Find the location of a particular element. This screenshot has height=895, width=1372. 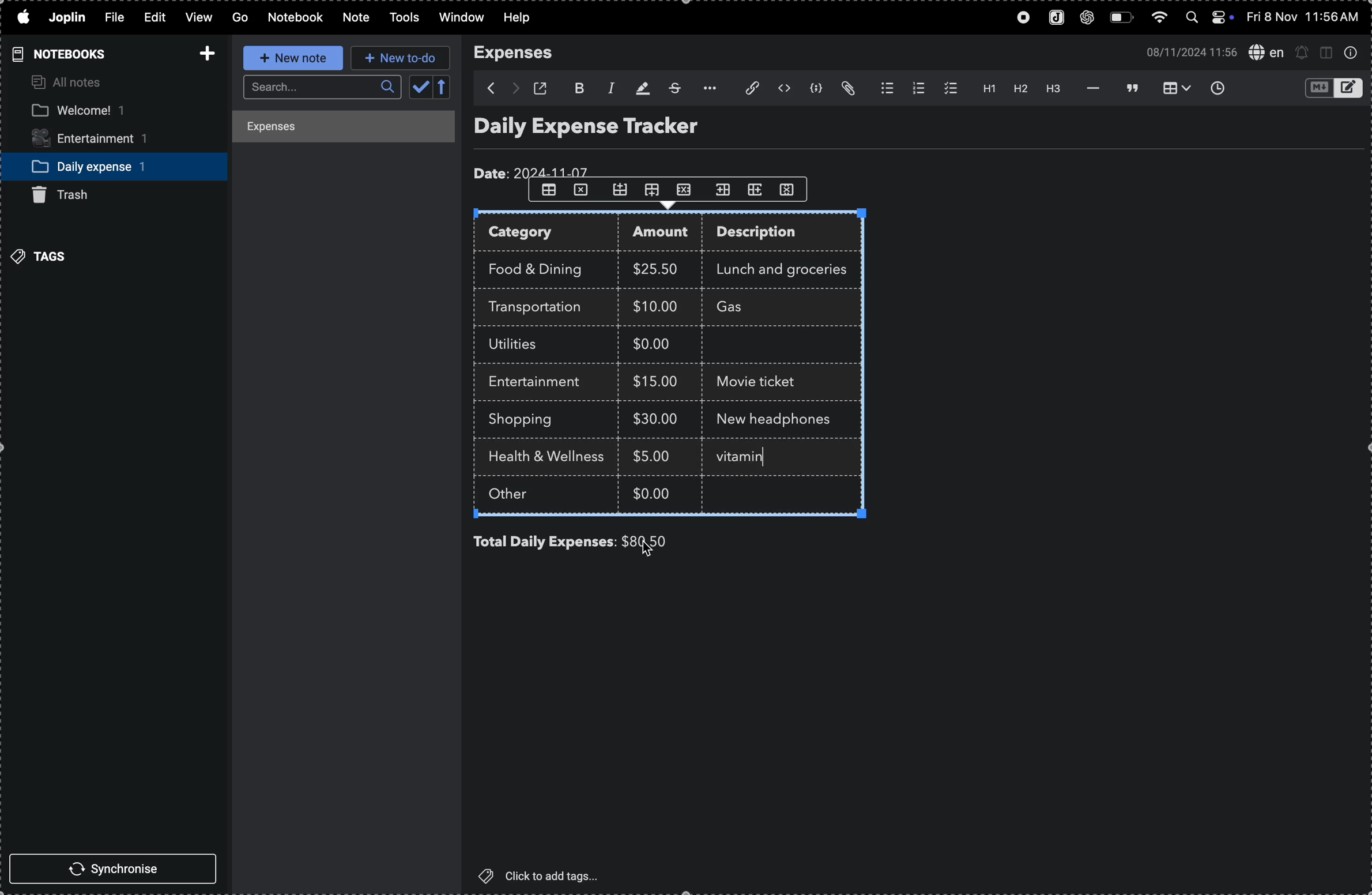

$0.00 is located at coordinates (654, 492).